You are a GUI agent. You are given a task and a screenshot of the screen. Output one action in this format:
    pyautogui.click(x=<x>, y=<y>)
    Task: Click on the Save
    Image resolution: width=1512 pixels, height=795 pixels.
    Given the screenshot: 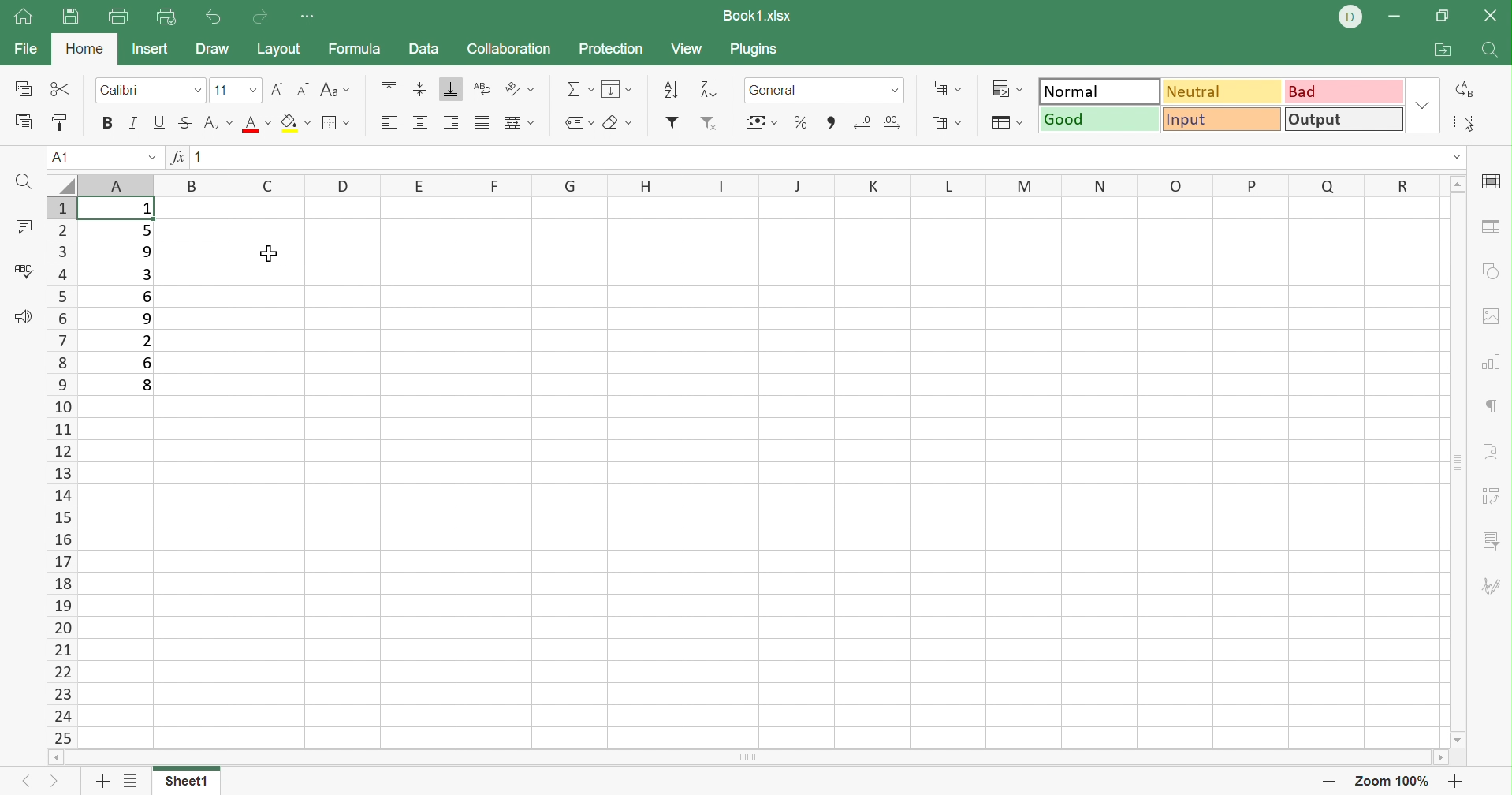 What is the action you would take?
    pyautogui.click(x=69, y=17)
    